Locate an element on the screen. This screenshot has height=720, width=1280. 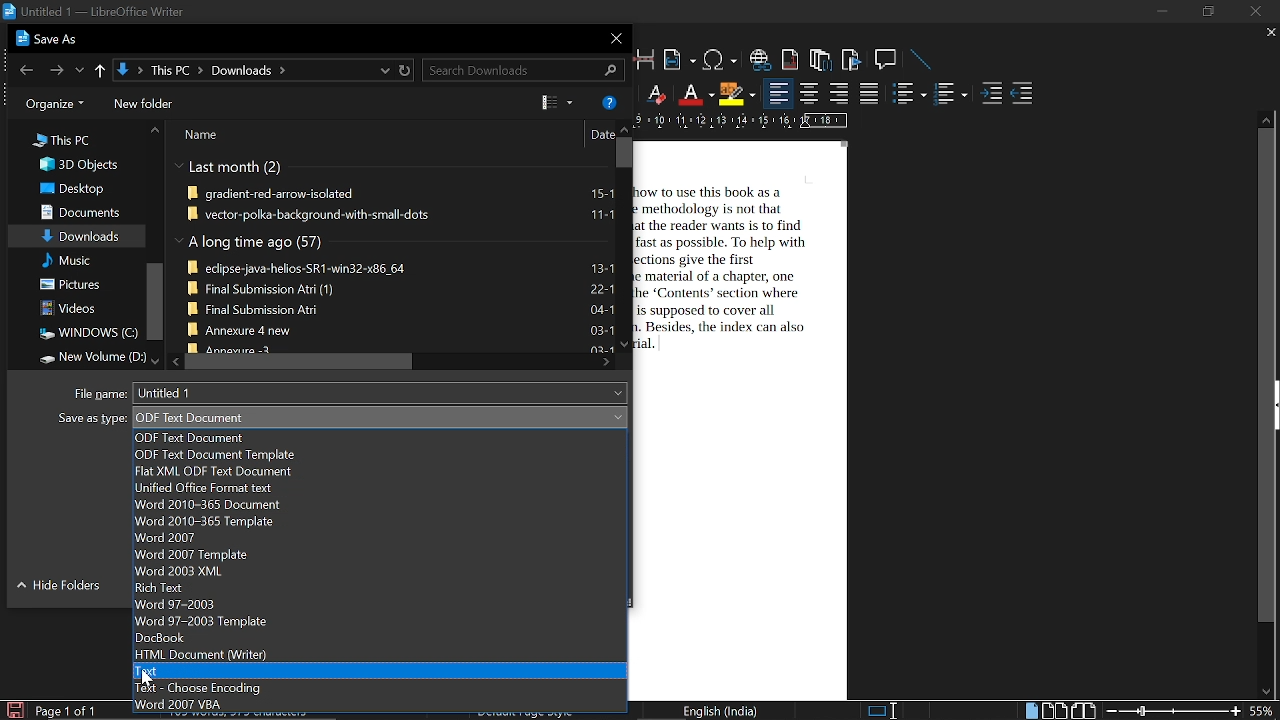
insert comment is located at coordinates (887, 60).